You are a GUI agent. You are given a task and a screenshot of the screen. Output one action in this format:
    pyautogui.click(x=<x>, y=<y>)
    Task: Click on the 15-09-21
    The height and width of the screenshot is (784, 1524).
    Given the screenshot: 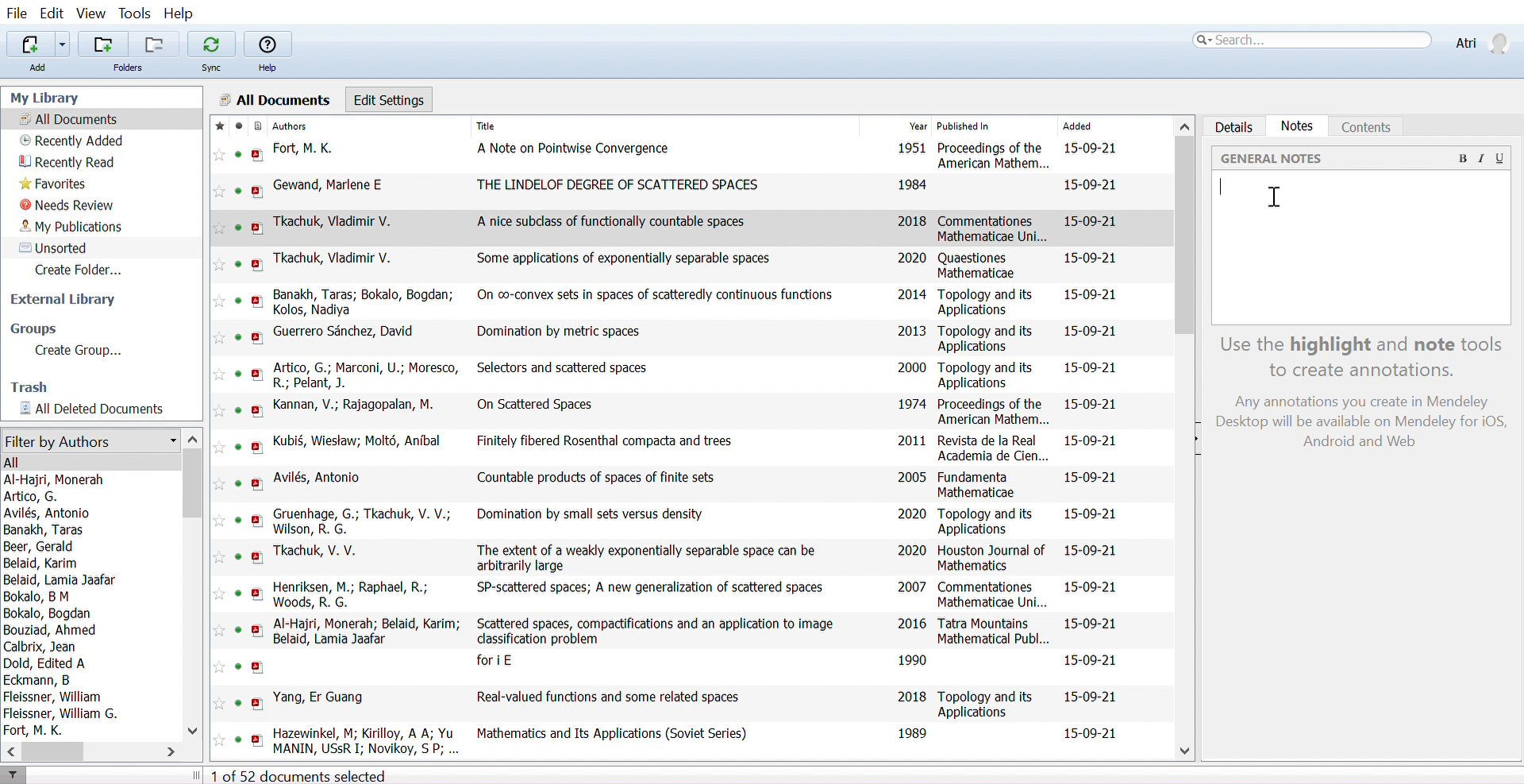 What is the action you would take?
    pyautogui.click(x=1095, y=258)
    